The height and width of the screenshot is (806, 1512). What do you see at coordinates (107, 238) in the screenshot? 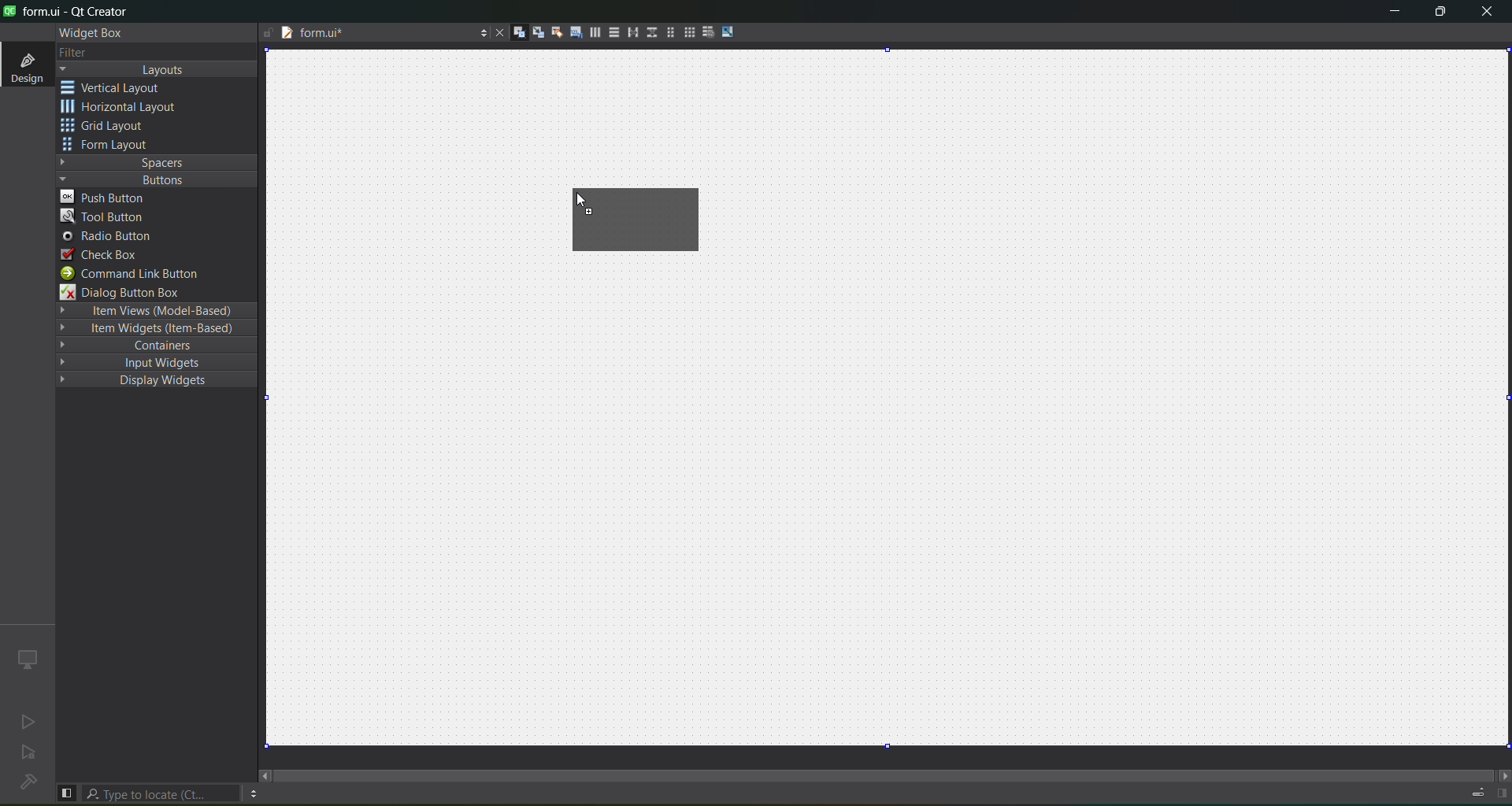
I see `radio button` at bounding box center [107, 238].